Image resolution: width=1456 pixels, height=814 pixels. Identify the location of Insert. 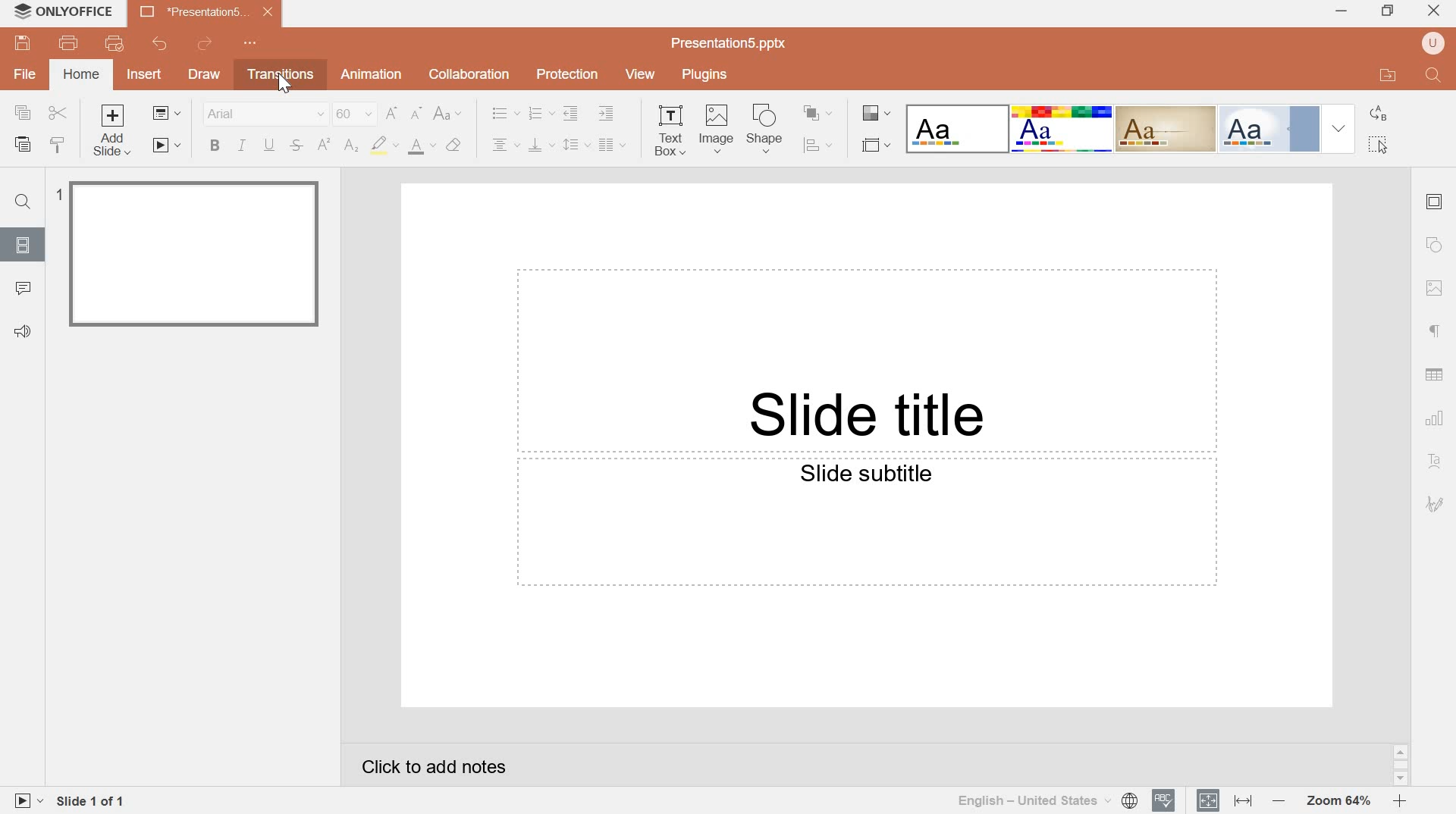
(144, 74).